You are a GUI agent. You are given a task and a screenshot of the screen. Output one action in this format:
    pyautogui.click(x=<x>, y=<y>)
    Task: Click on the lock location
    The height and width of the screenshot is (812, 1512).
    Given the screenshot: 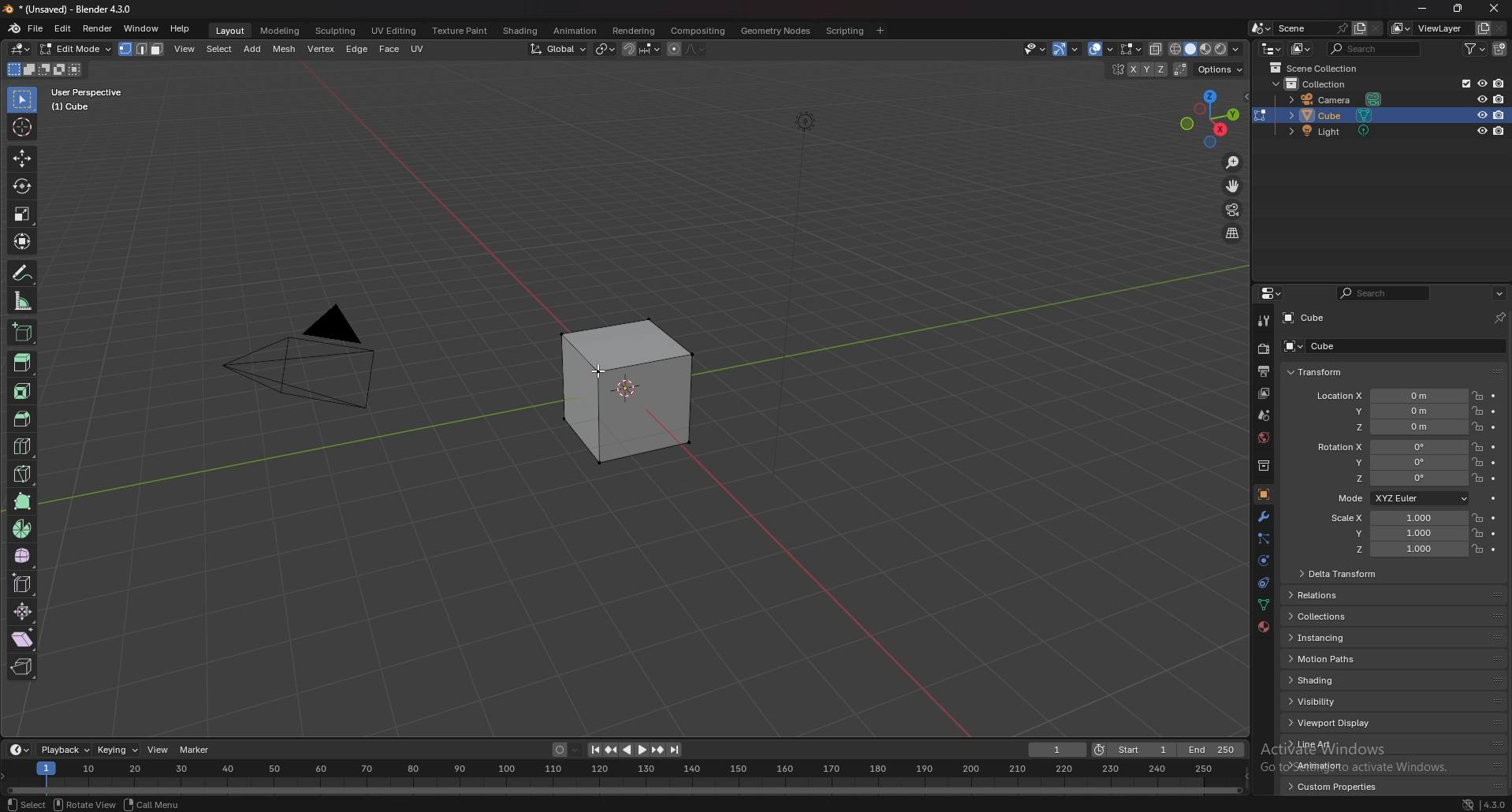 What is the action you would take?
    pyautogui.click(x=1478, y=532)
    